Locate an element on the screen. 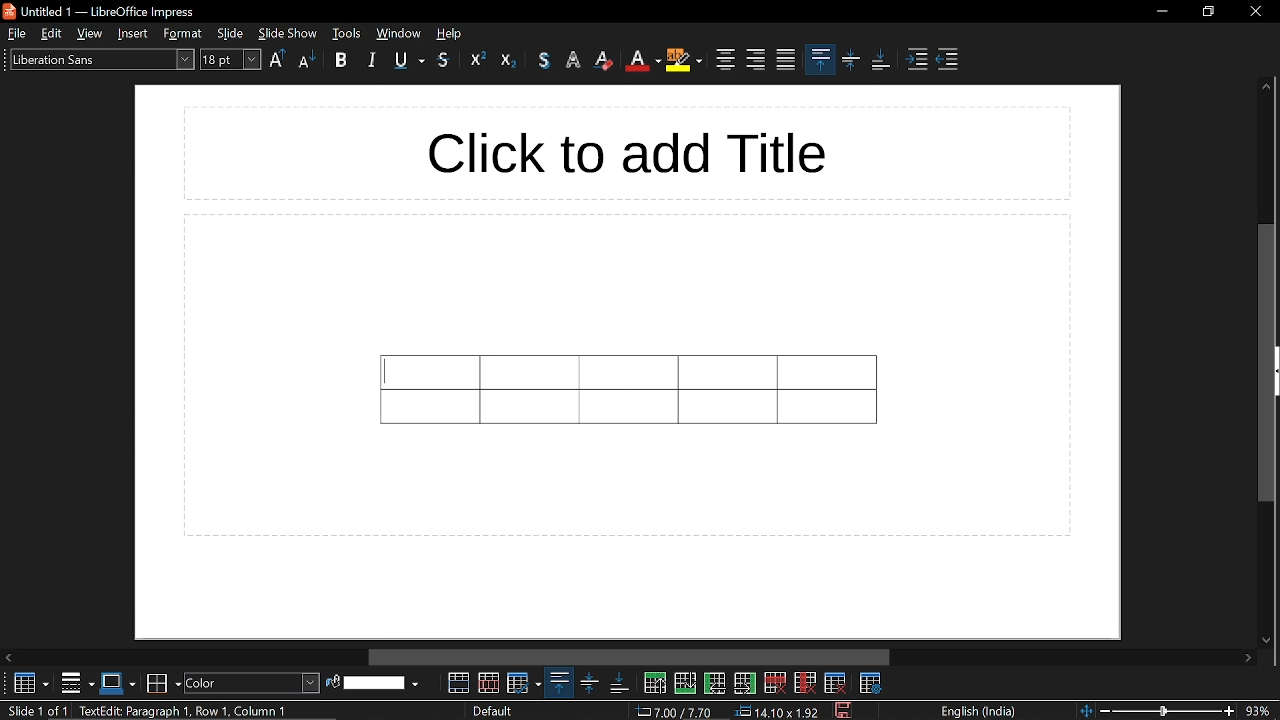  justified is located at coordinates (786, 61).